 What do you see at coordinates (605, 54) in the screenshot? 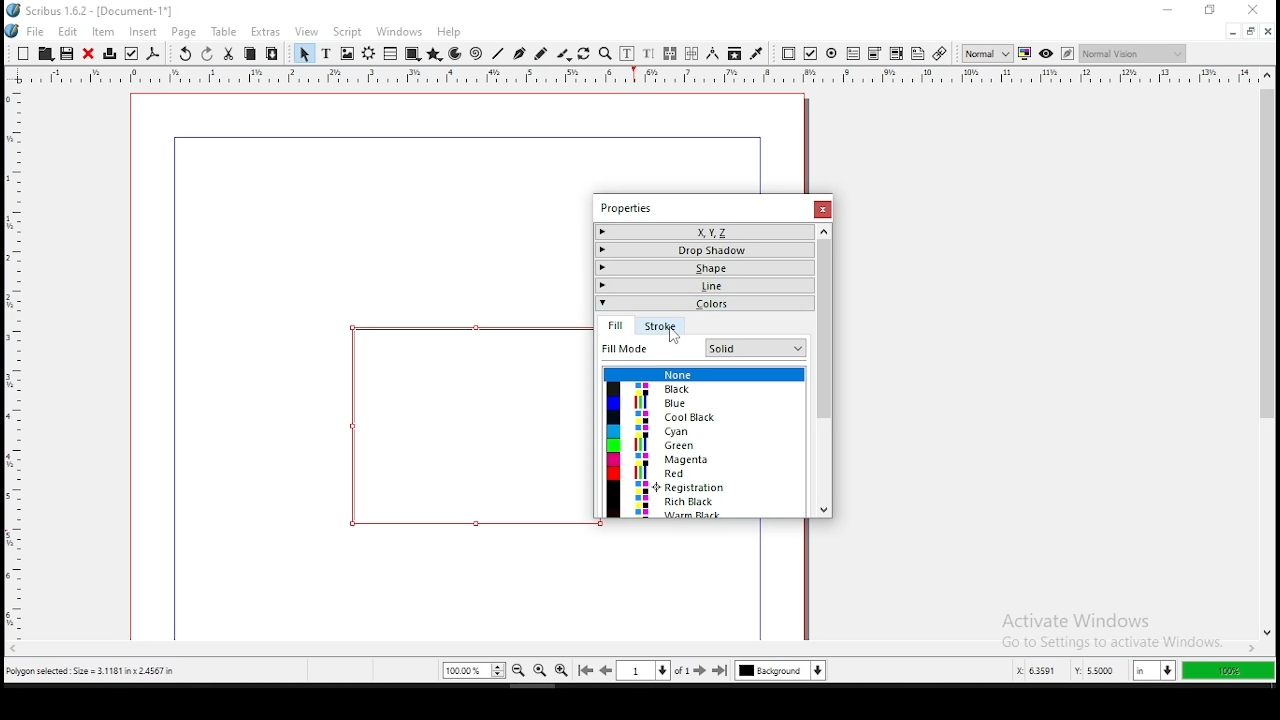
I see `zoom in or out` at bounding box center [605, 54].